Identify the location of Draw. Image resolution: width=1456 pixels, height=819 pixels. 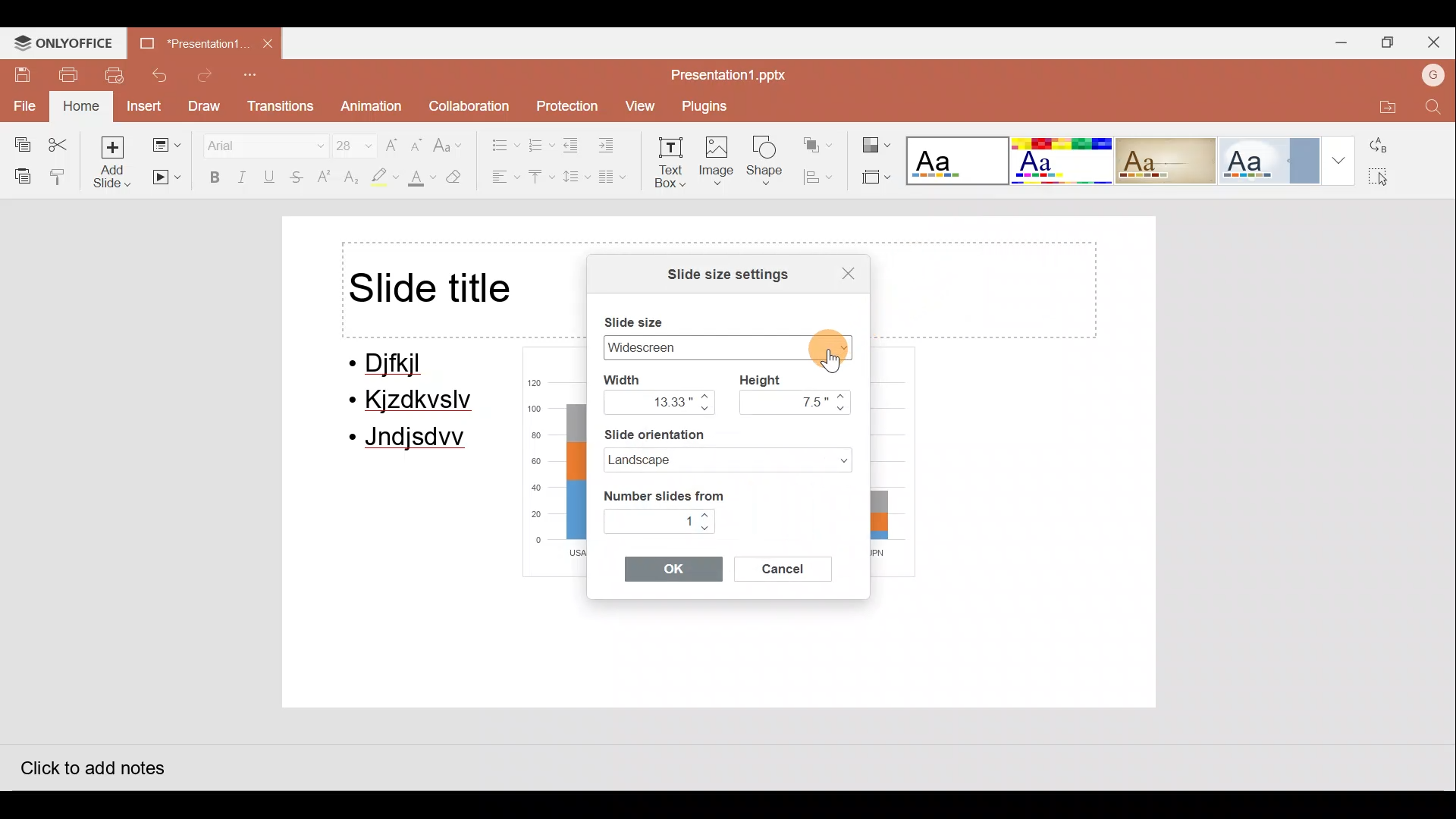
(206, 106).